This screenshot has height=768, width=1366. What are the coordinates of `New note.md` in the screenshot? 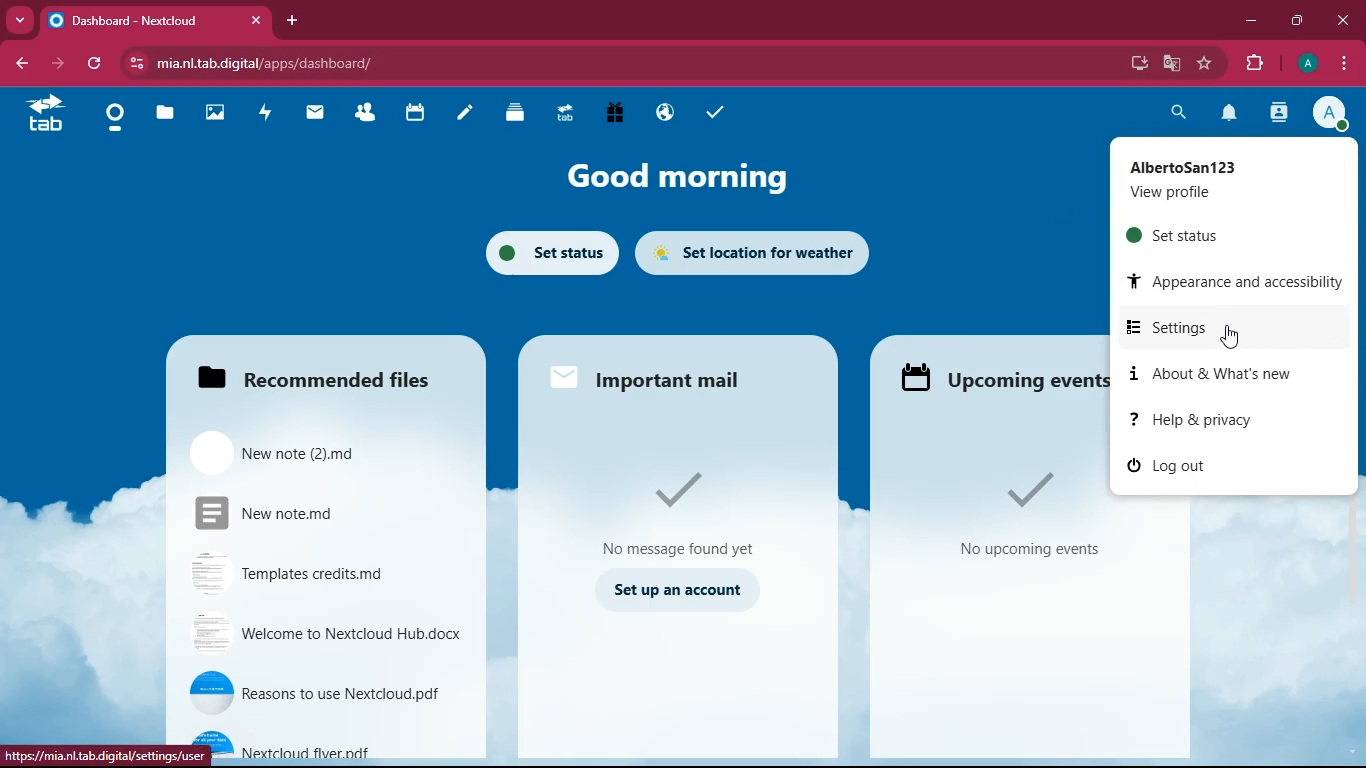 It's located at (330, 516).